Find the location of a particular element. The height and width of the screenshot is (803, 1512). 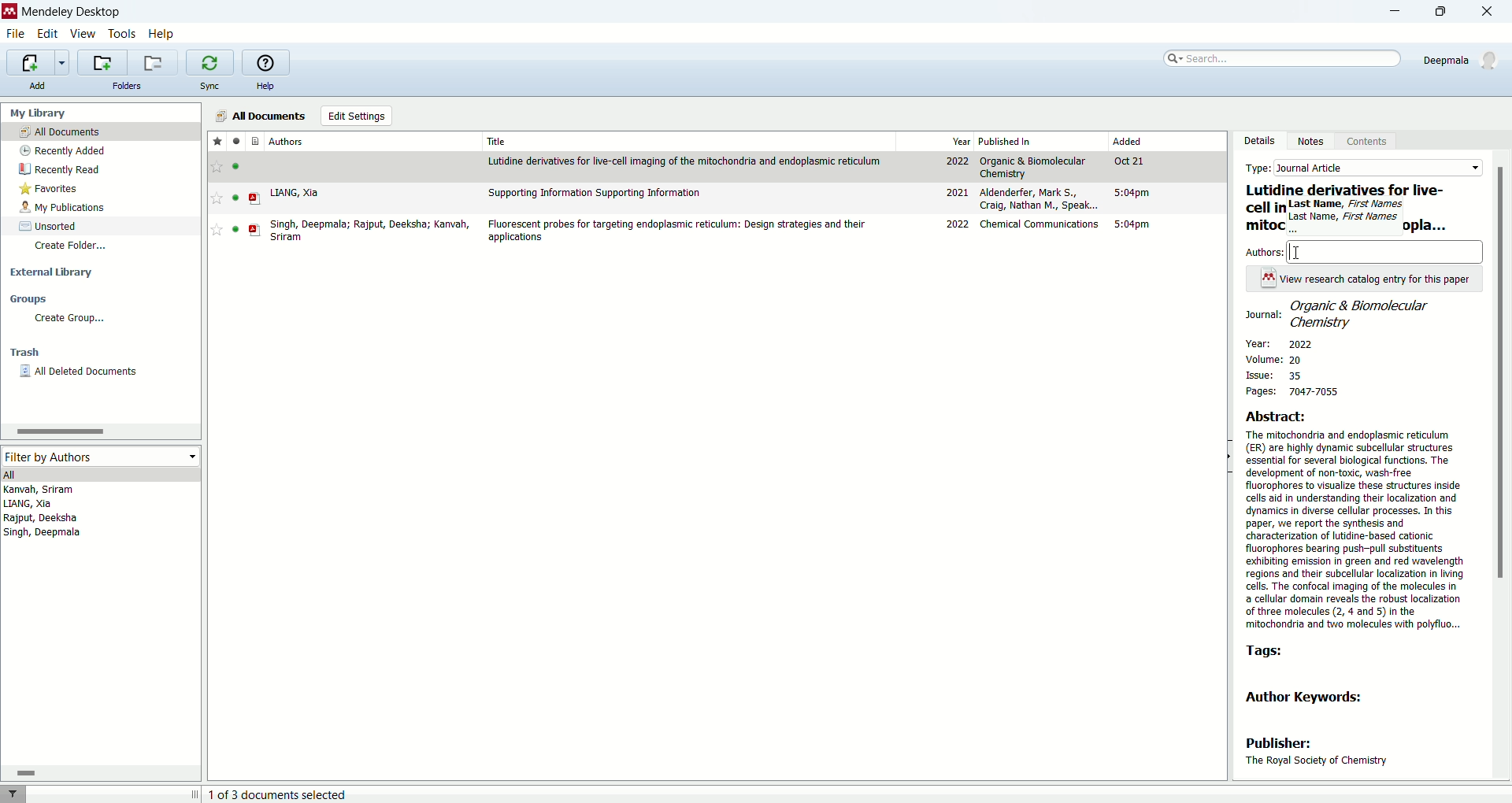

groups is located at coordinates (32, 299).